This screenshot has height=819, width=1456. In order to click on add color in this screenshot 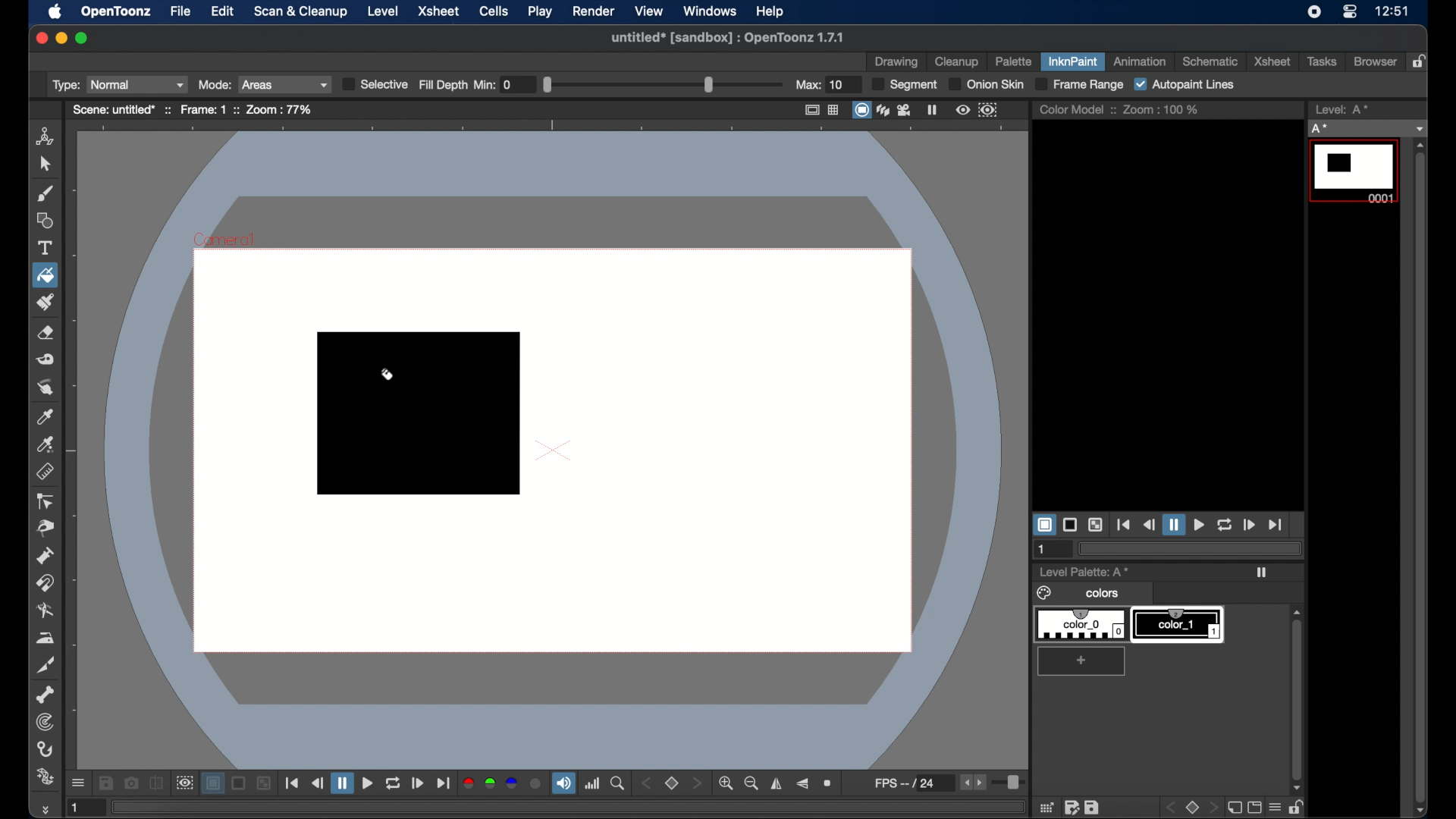, I will do `click(1083, 661)`.